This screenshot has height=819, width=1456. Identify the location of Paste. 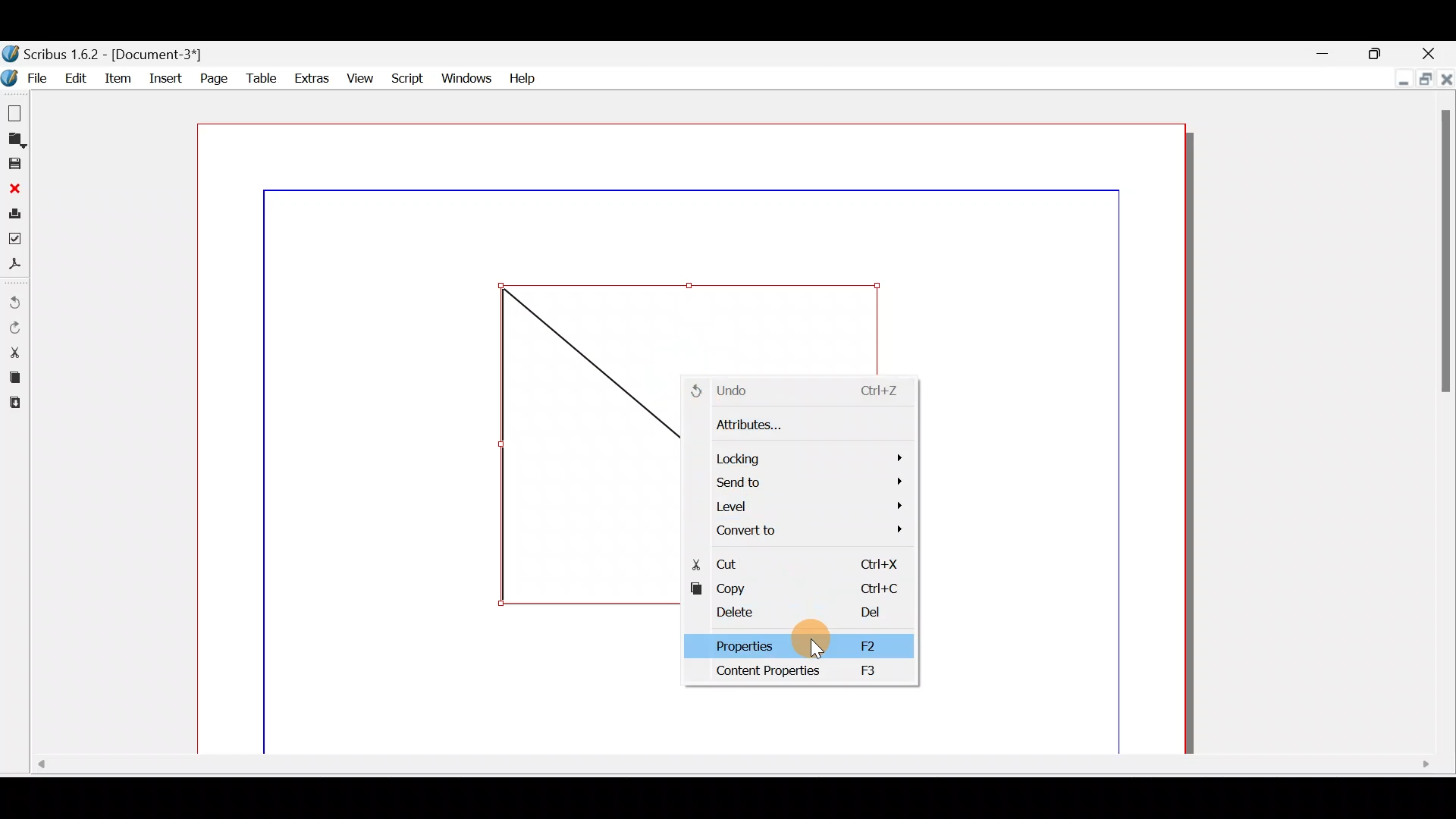
(19, 403).